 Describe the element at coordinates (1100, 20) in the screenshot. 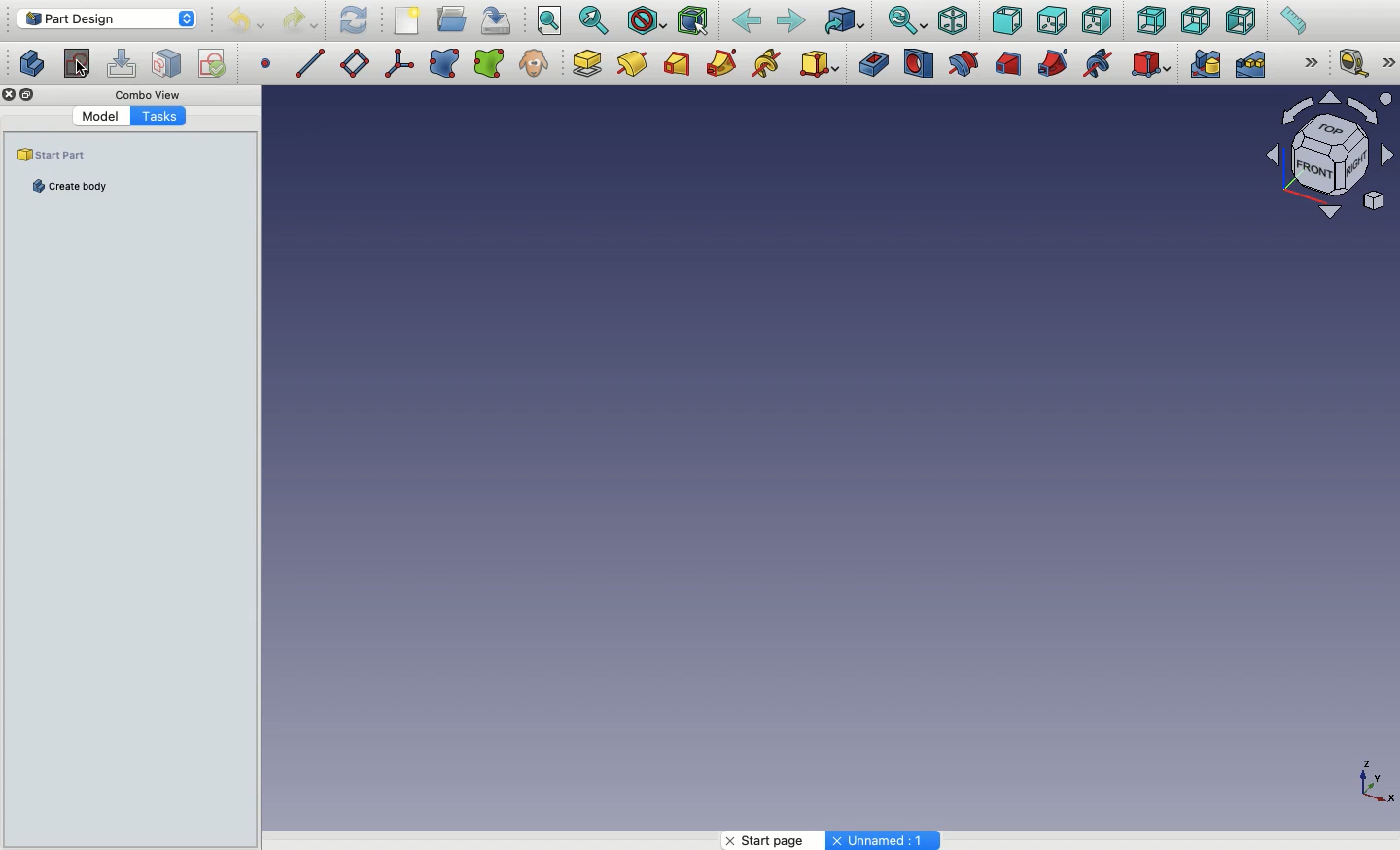

I see `Right` at that location.